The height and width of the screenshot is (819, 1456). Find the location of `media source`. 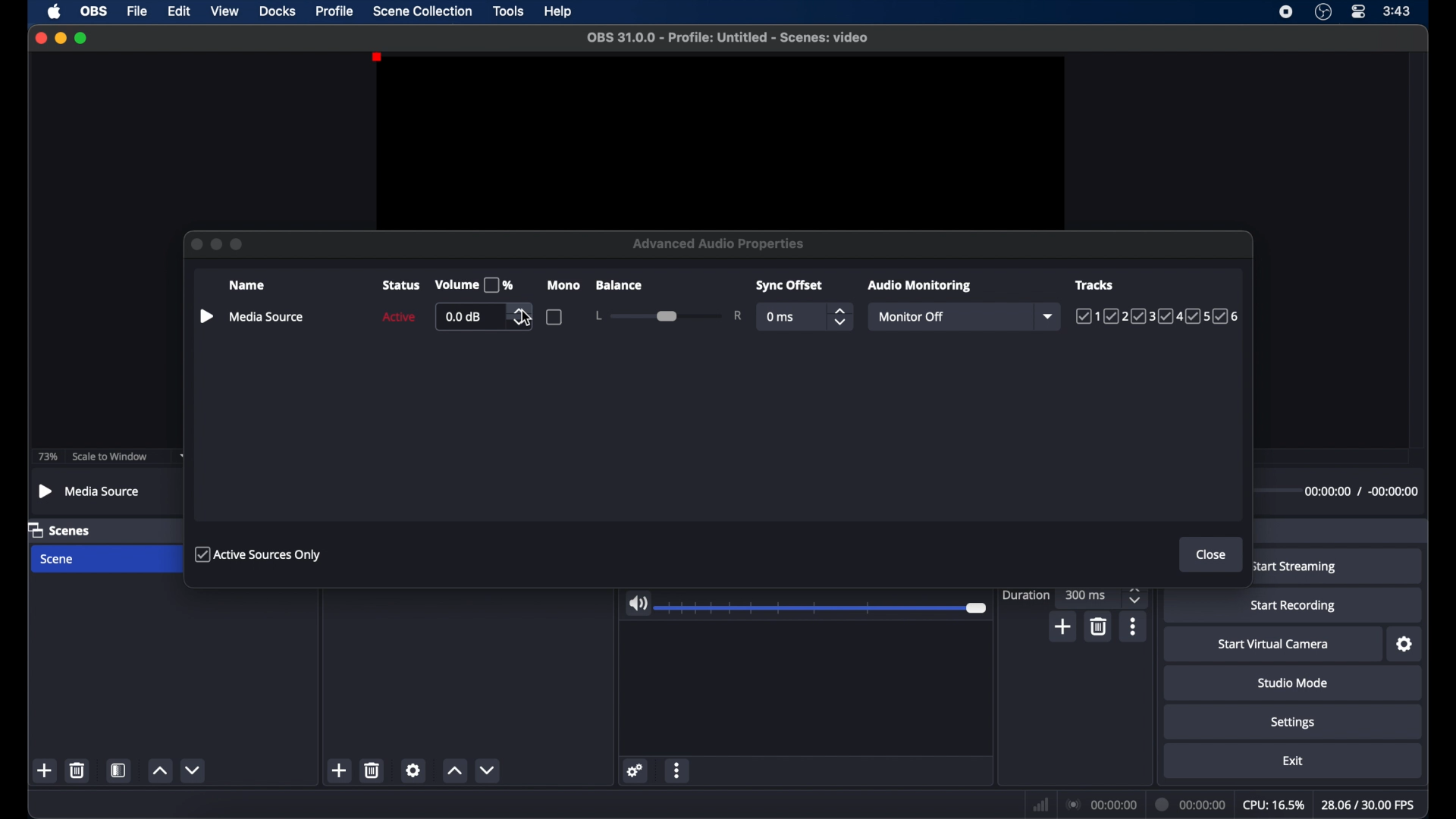

media source is located at coordinates (250, 315).